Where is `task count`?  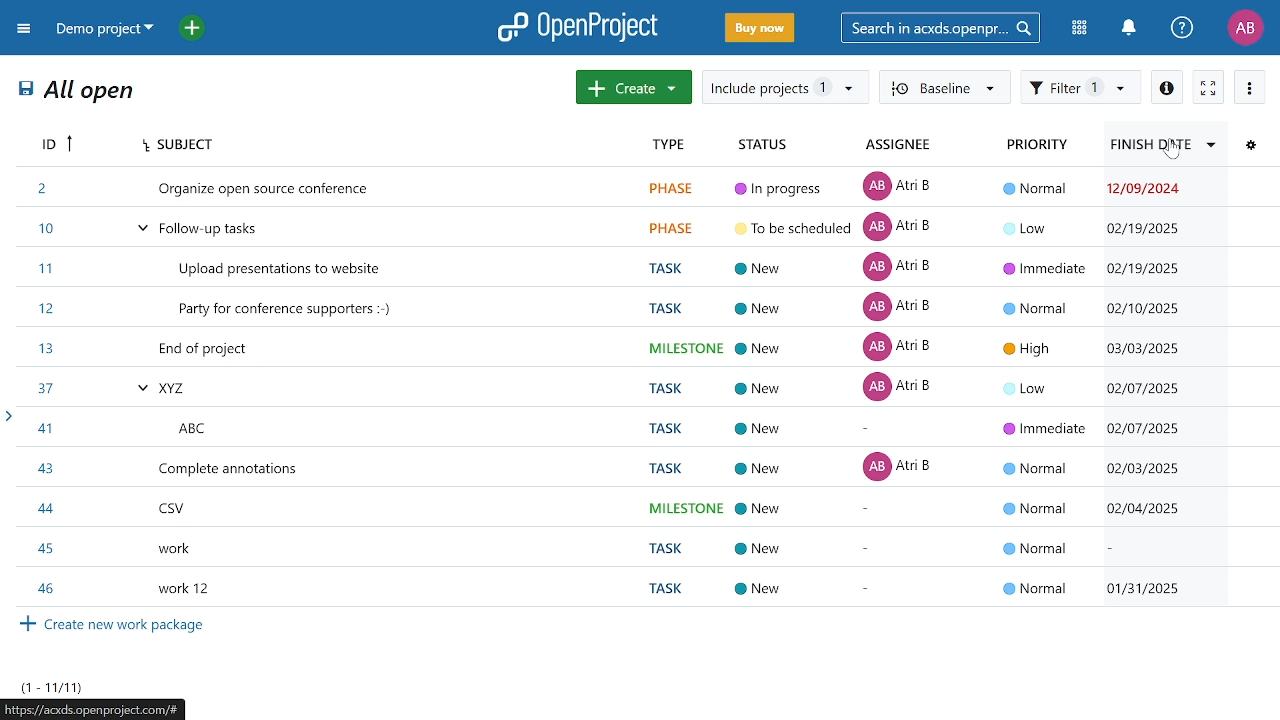
task count is located at coordinates (66, 685).